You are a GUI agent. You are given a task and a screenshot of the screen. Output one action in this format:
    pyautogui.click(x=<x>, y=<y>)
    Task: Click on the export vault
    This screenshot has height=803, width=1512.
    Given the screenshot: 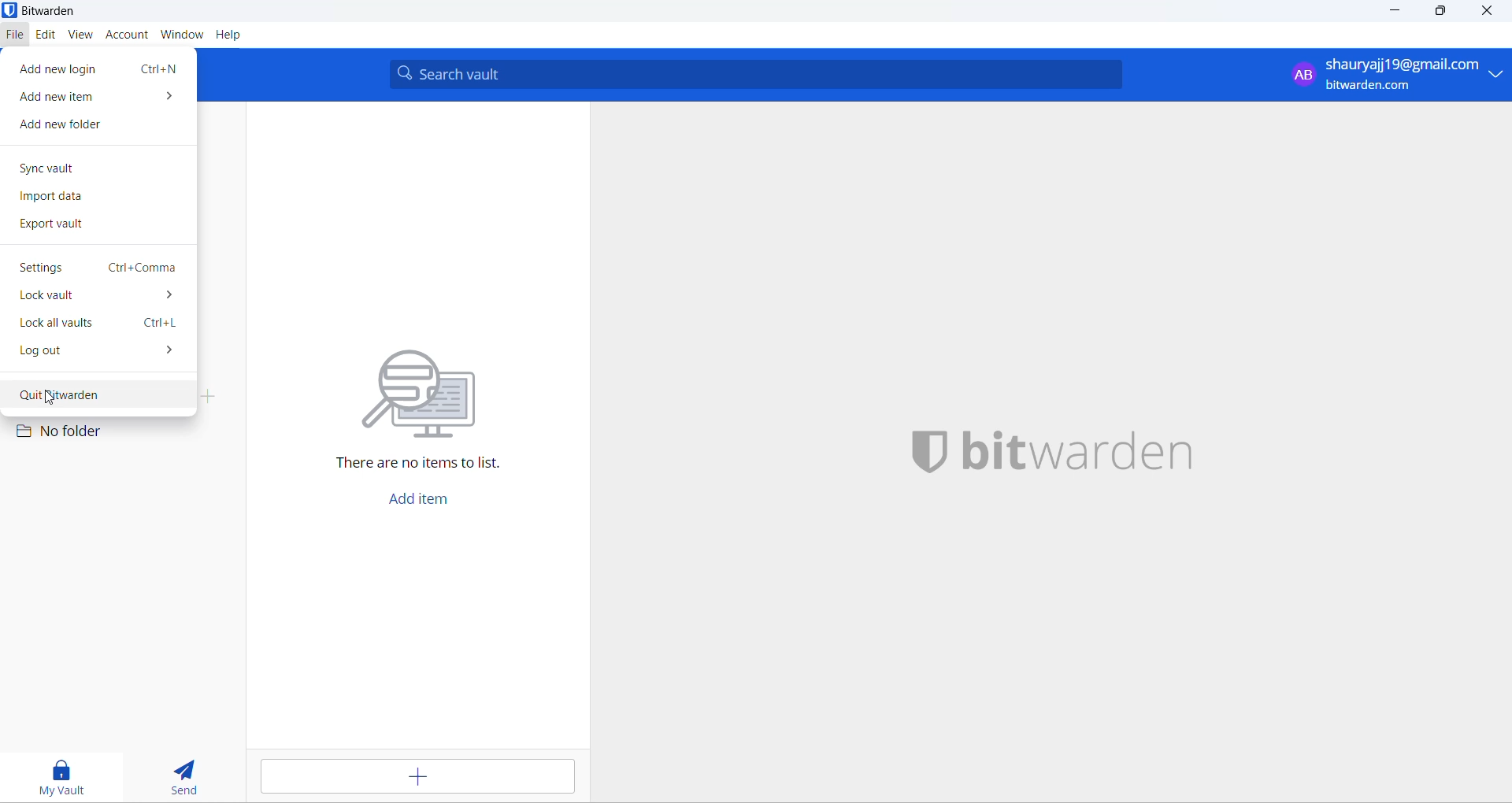 What is the action you would take?
    pyautogui.click(x=94, y=231)
    